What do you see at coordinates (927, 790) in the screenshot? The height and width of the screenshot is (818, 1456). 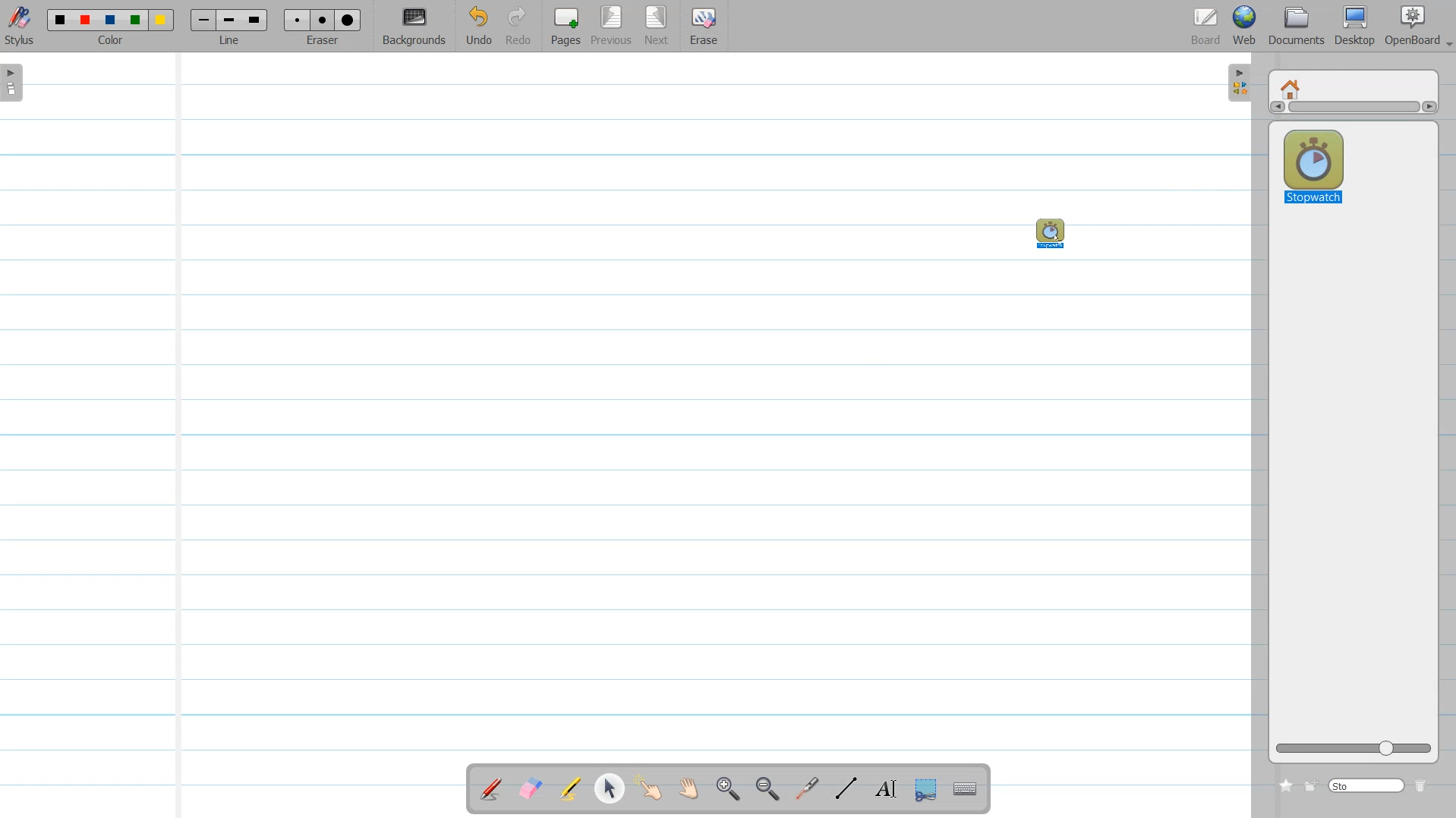 I see `Capture part of the Screen` at bounding box center [927, 790].